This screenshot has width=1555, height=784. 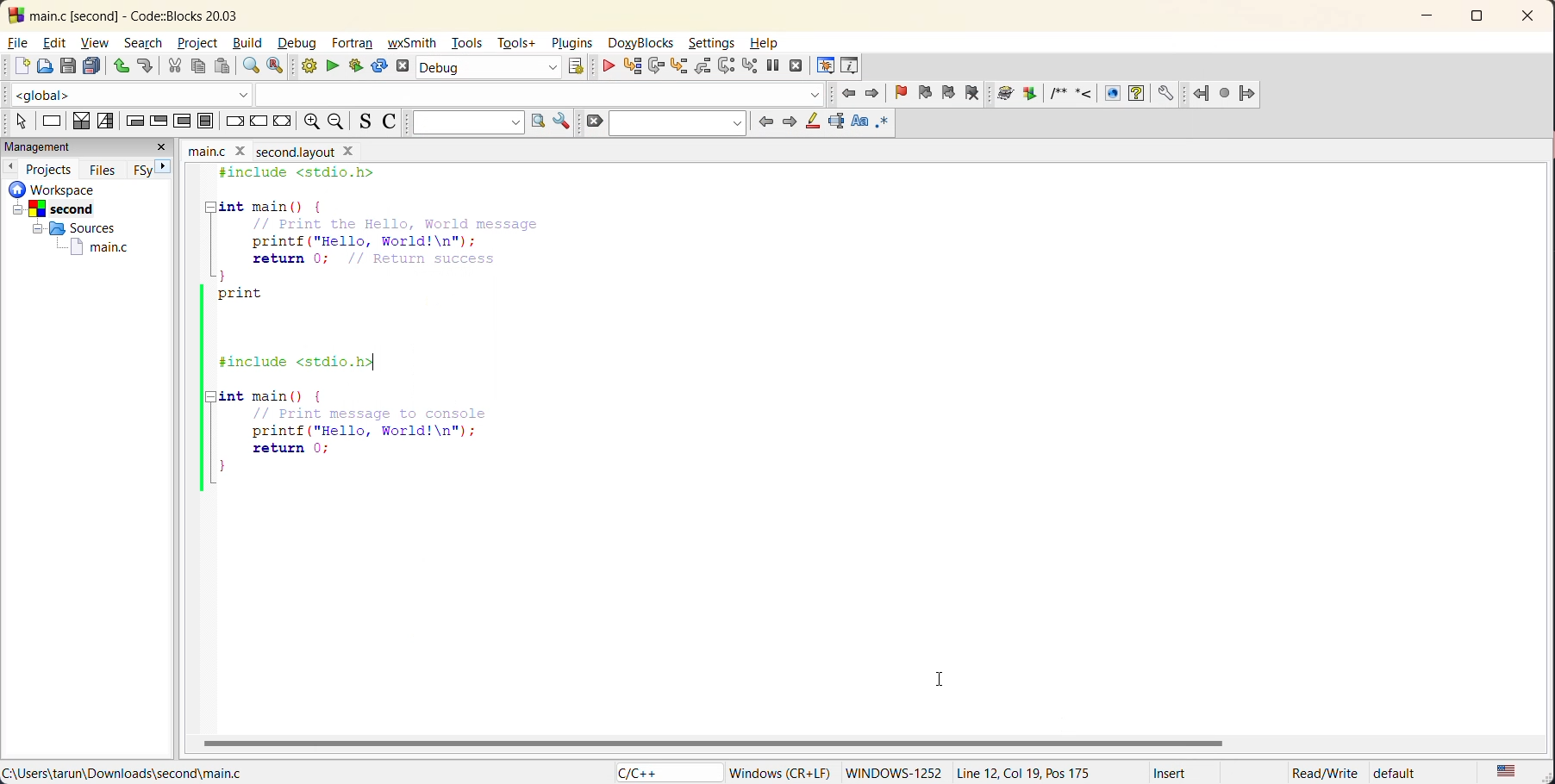 I want to click on open, so click(x=43, y=66).